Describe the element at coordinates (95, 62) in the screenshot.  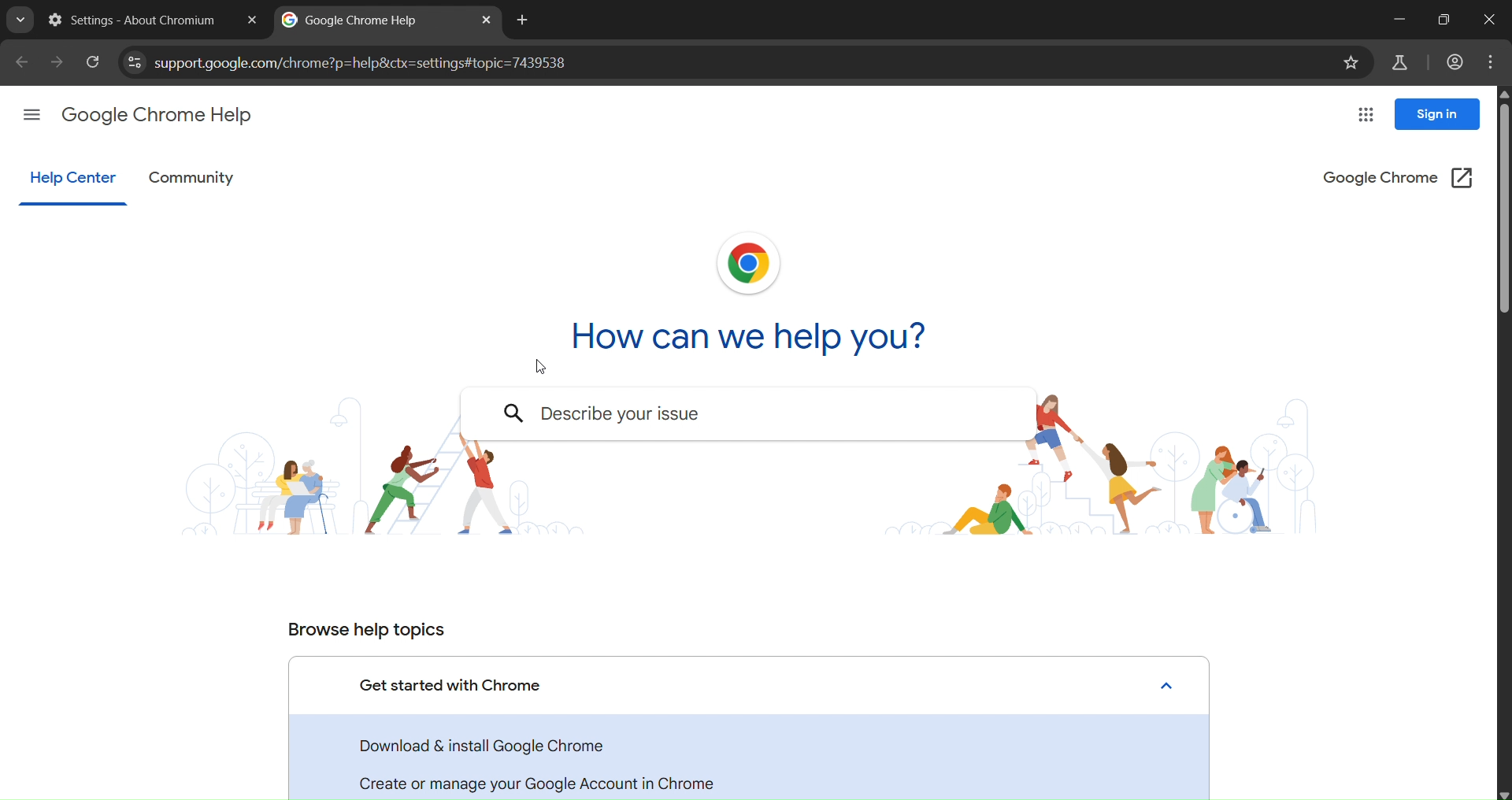
I see `reload page` at that location.